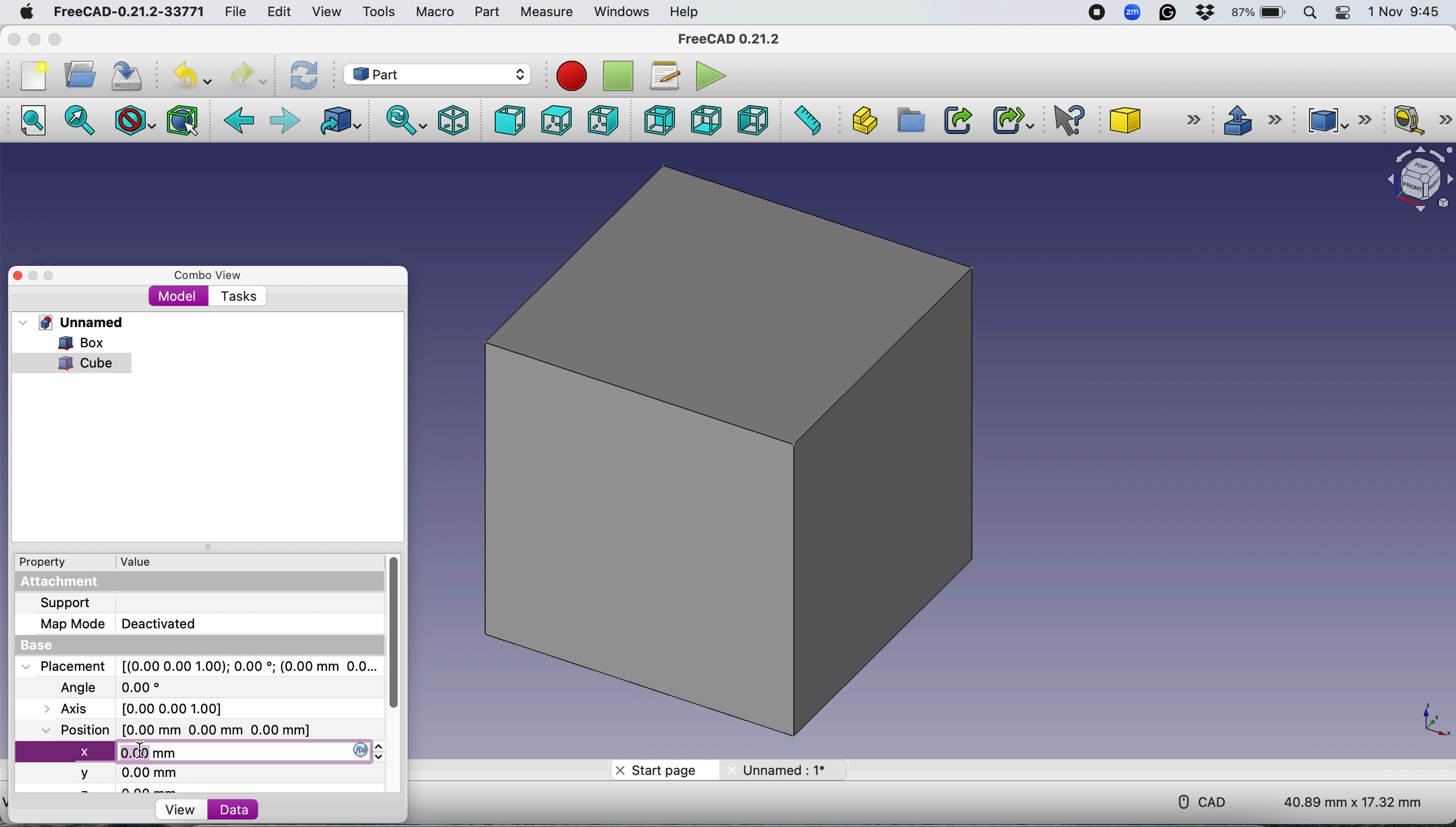 This screenshot has height=827, width=1456. What do you see at coordinates (575, 77) in the screenshot?
I see `Record macros` at bounding box center [575, 77].